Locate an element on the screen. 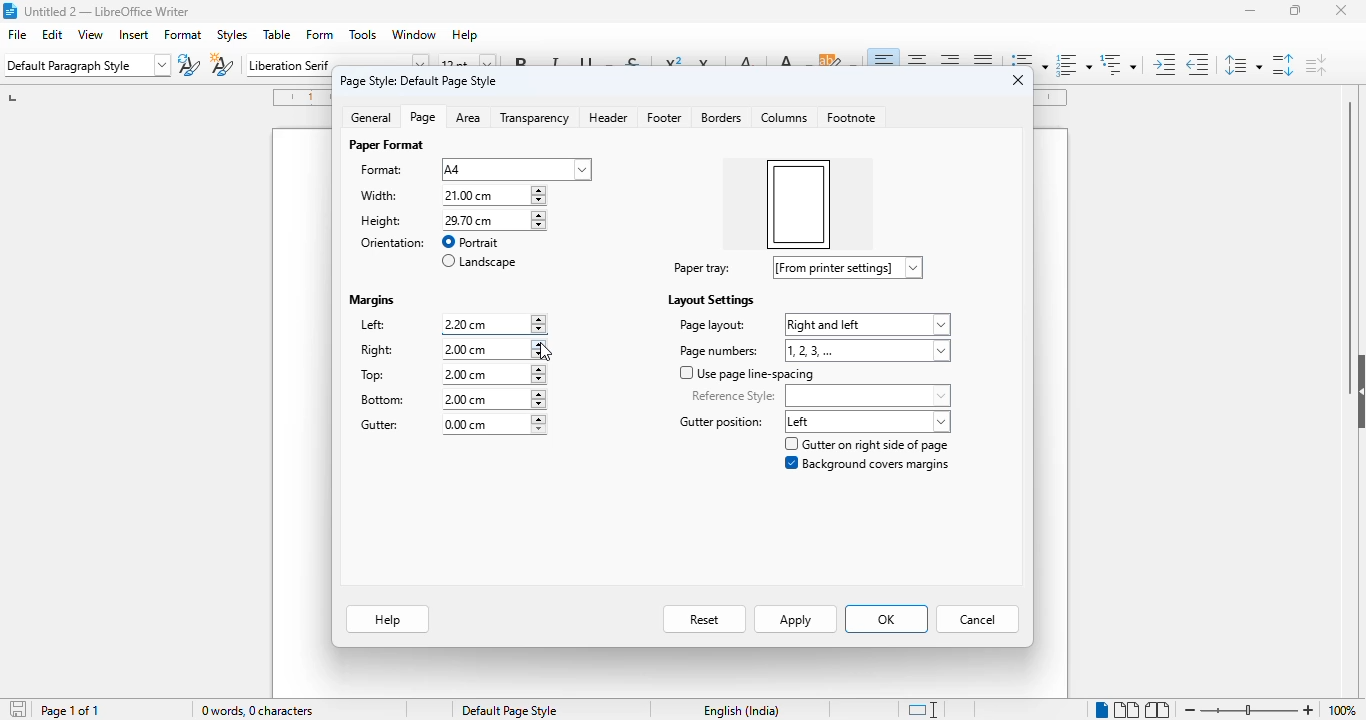 This screenshot has height=720, width=1366. set paragraph style is located at coordinates (87, 66).